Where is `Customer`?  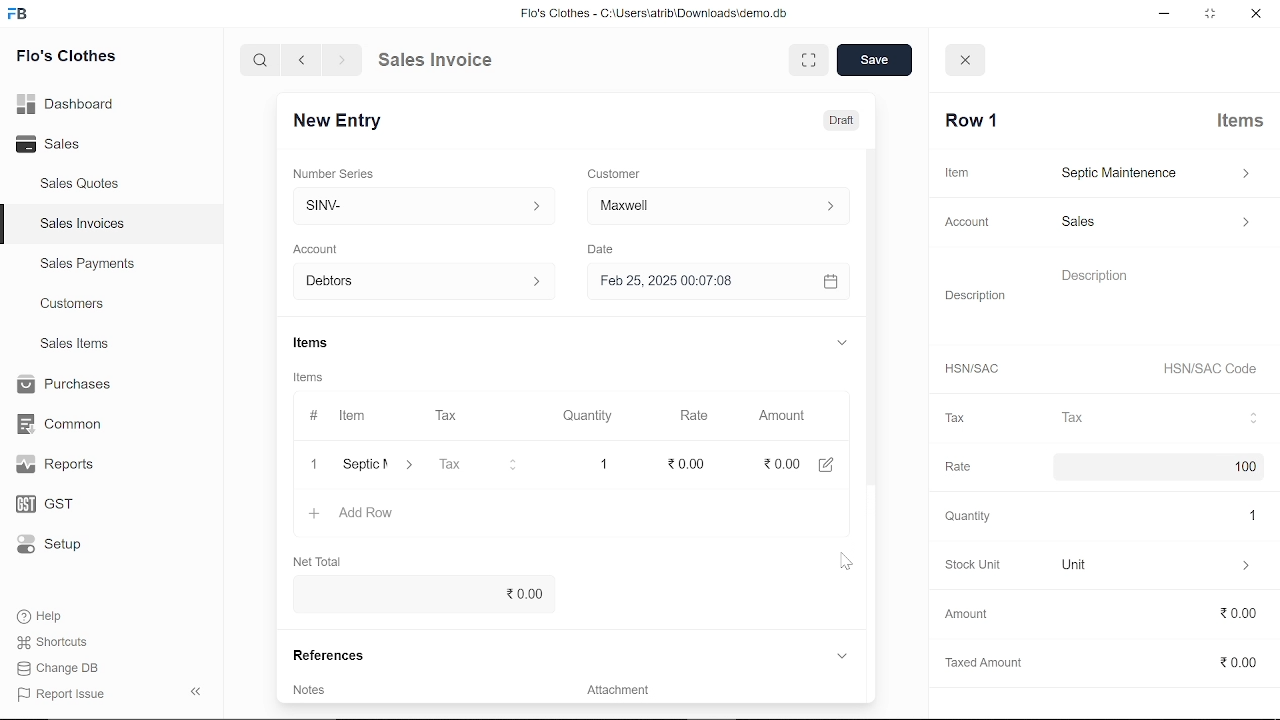
Customer is located at coordinates (615, 172).